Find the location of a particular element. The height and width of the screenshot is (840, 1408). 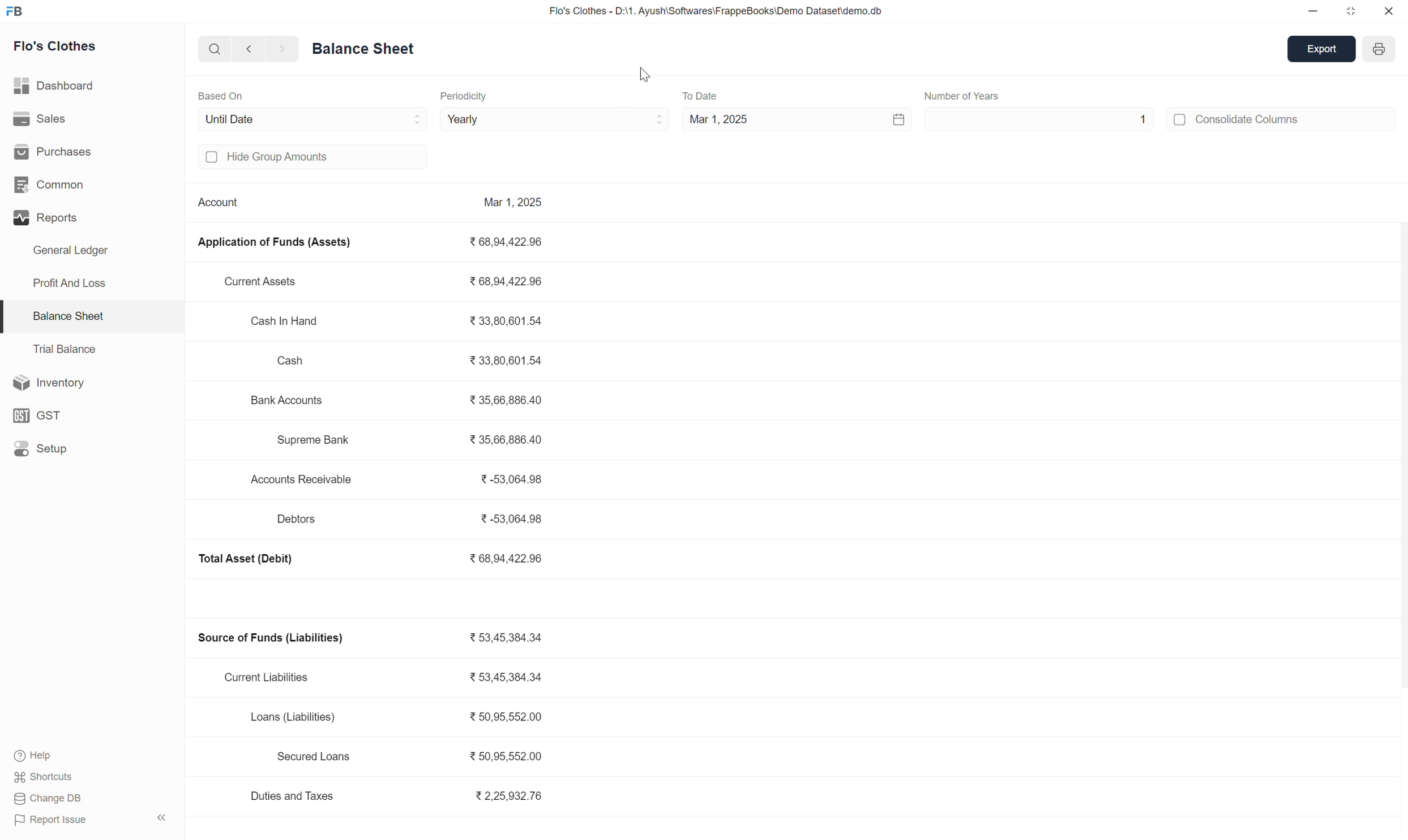

Purchases is located at coordinates (62, 153).